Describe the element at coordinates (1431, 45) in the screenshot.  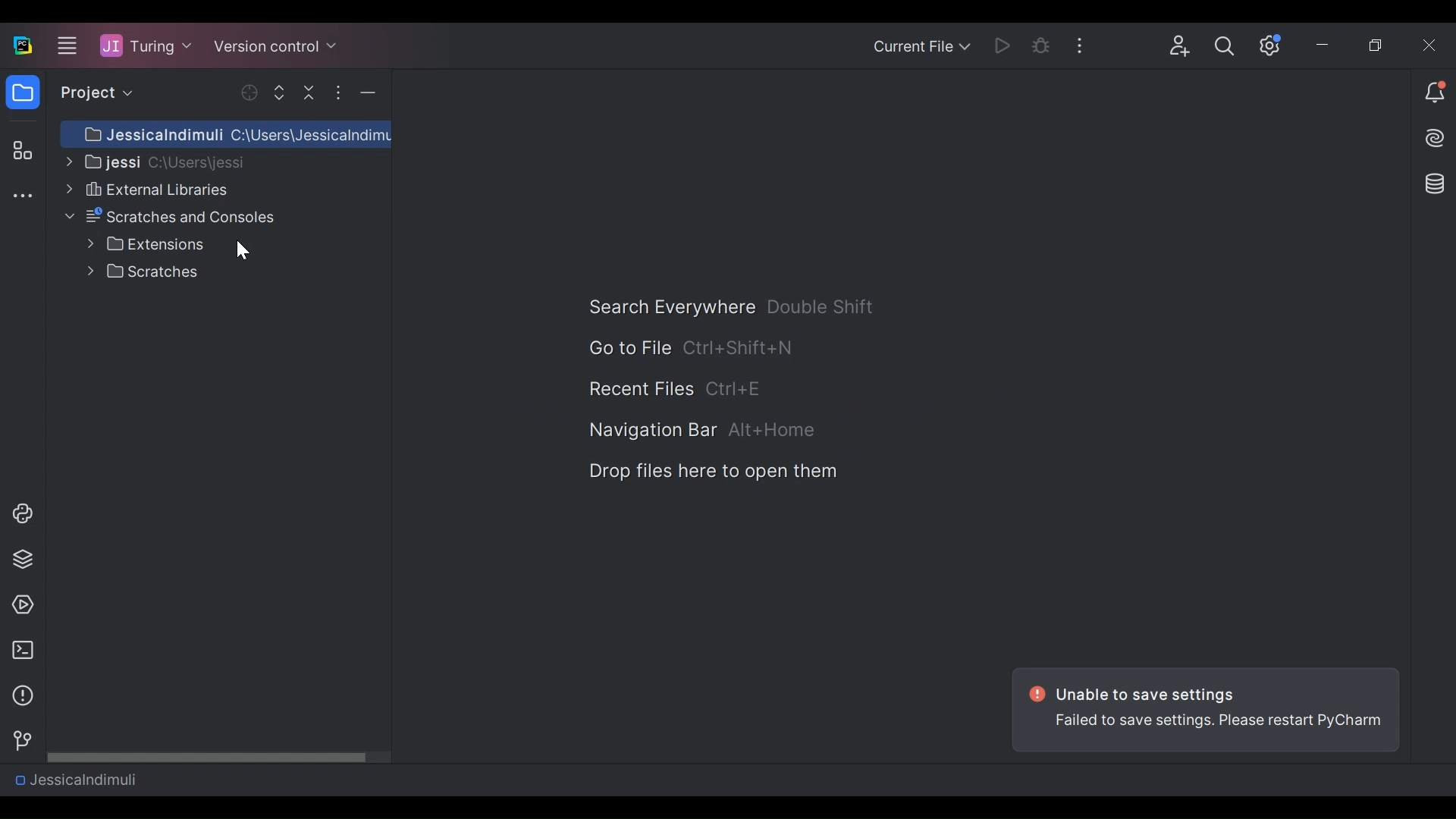
I see `Close` at that location.